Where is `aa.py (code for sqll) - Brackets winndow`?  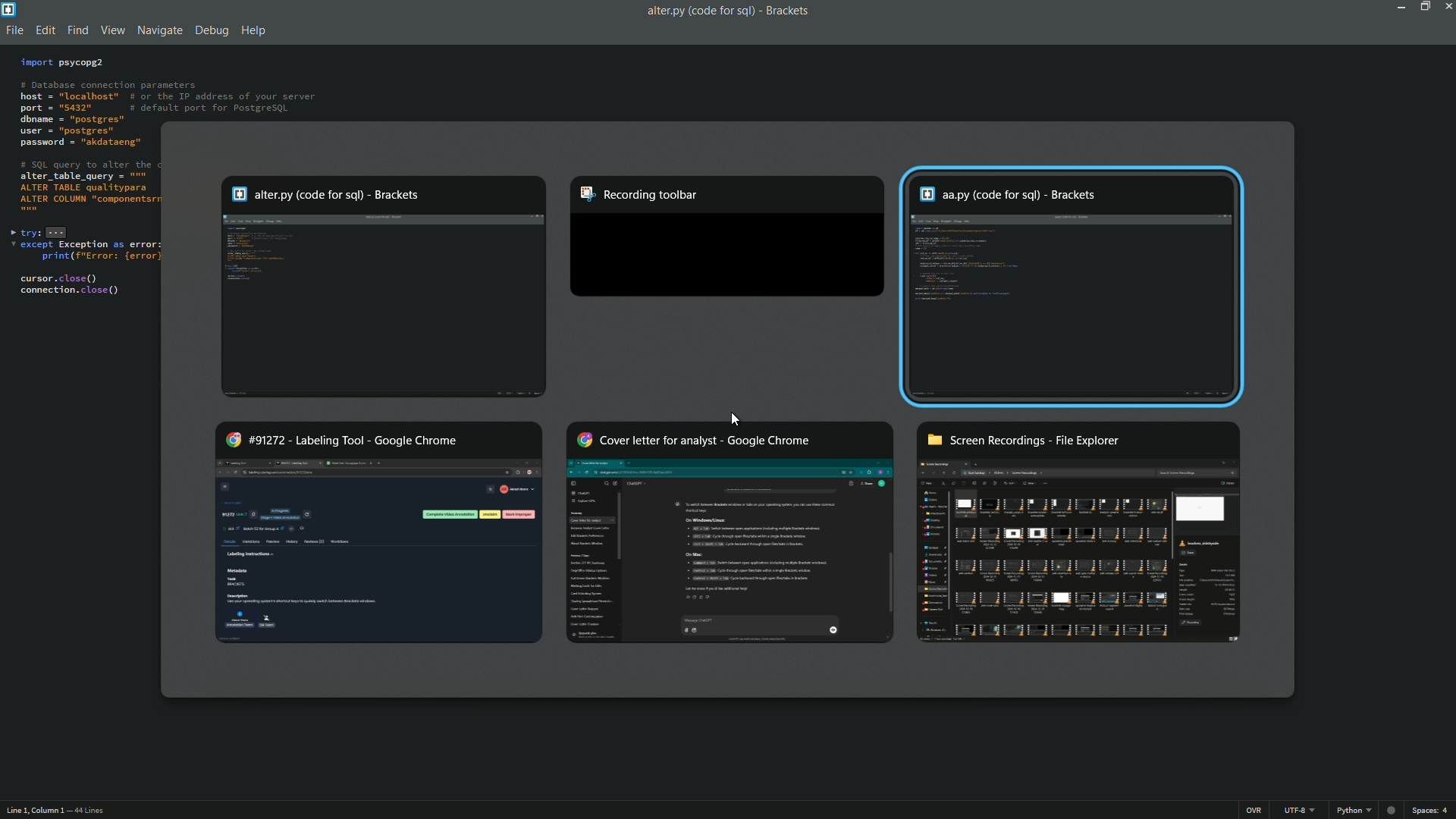 aa.py (code for sqll) - Brackets winndow is located at coordinates (1078, 287).